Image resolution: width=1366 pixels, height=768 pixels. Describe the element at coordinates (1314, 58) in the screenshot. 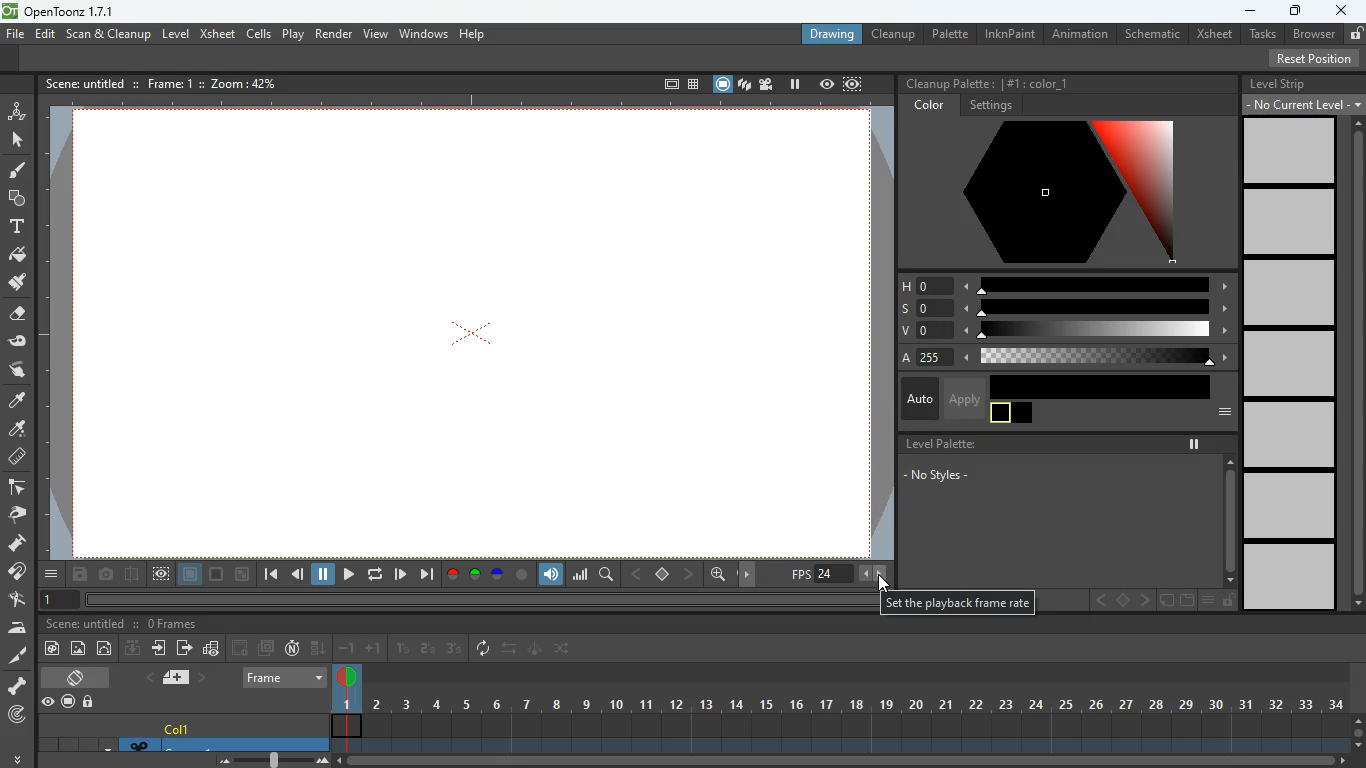

I see `reset position` at that location.